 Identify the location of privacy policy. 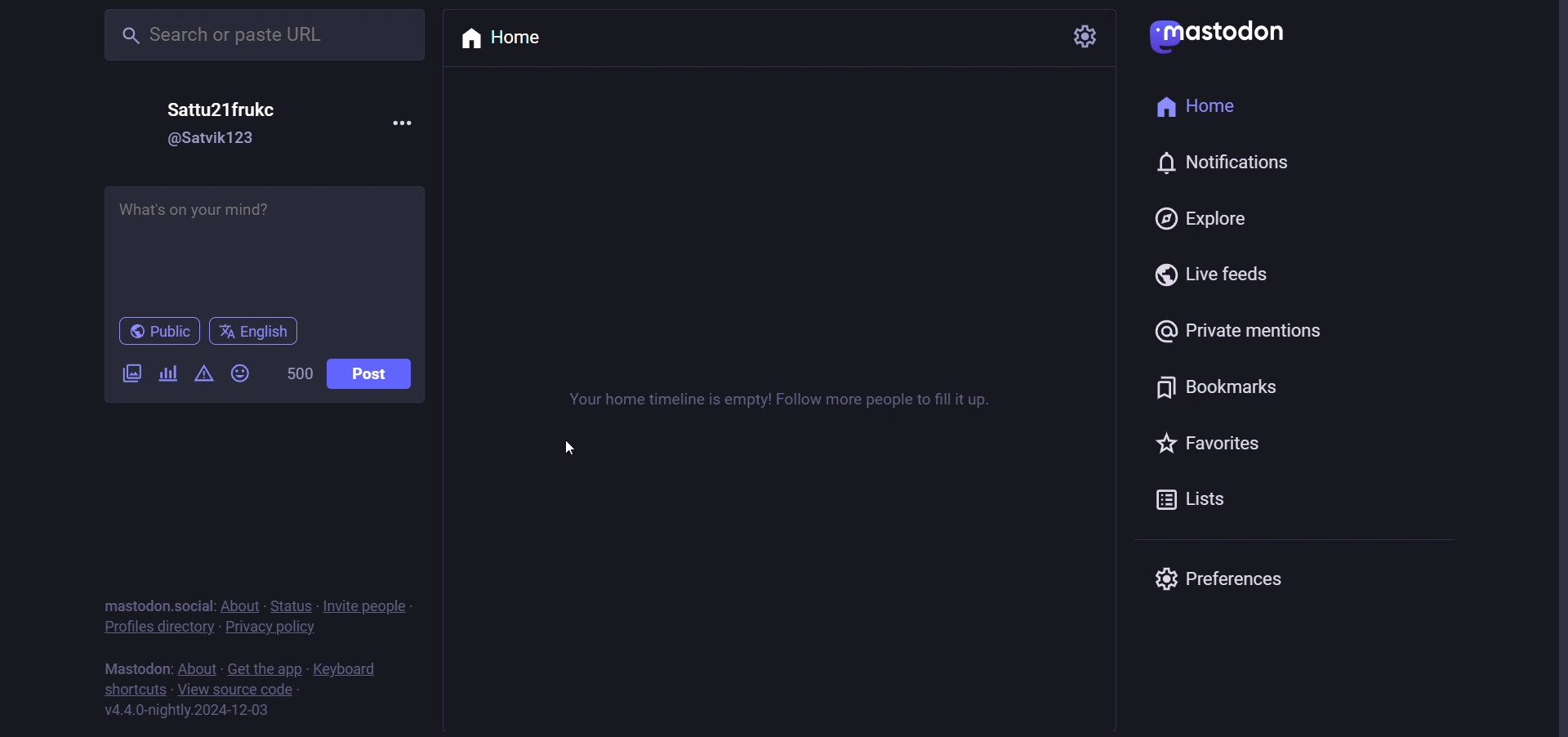
(269, 630).